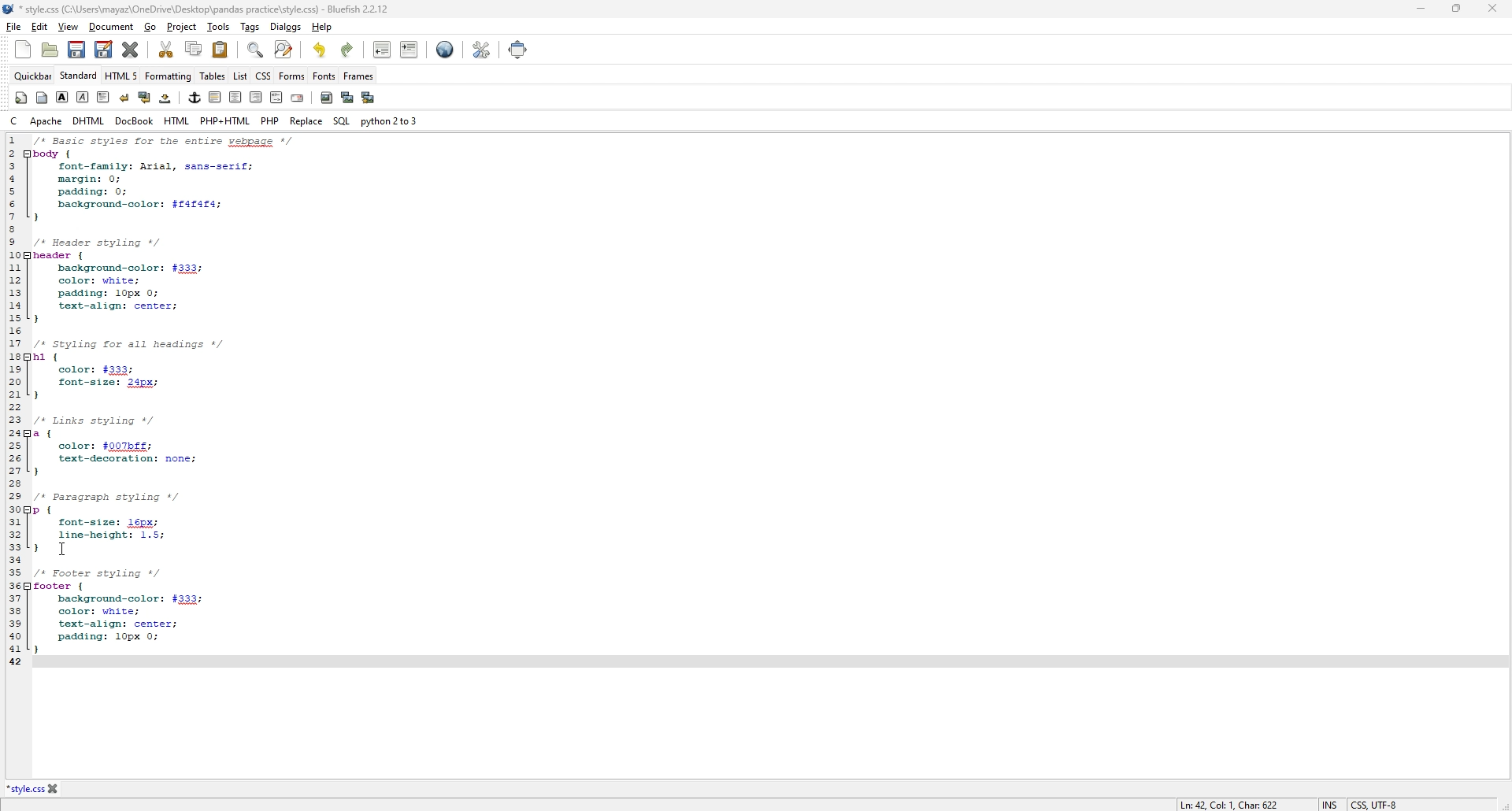 This screenshot has height=811, width=1512. I want to click on edit preference, so click(482, 50).